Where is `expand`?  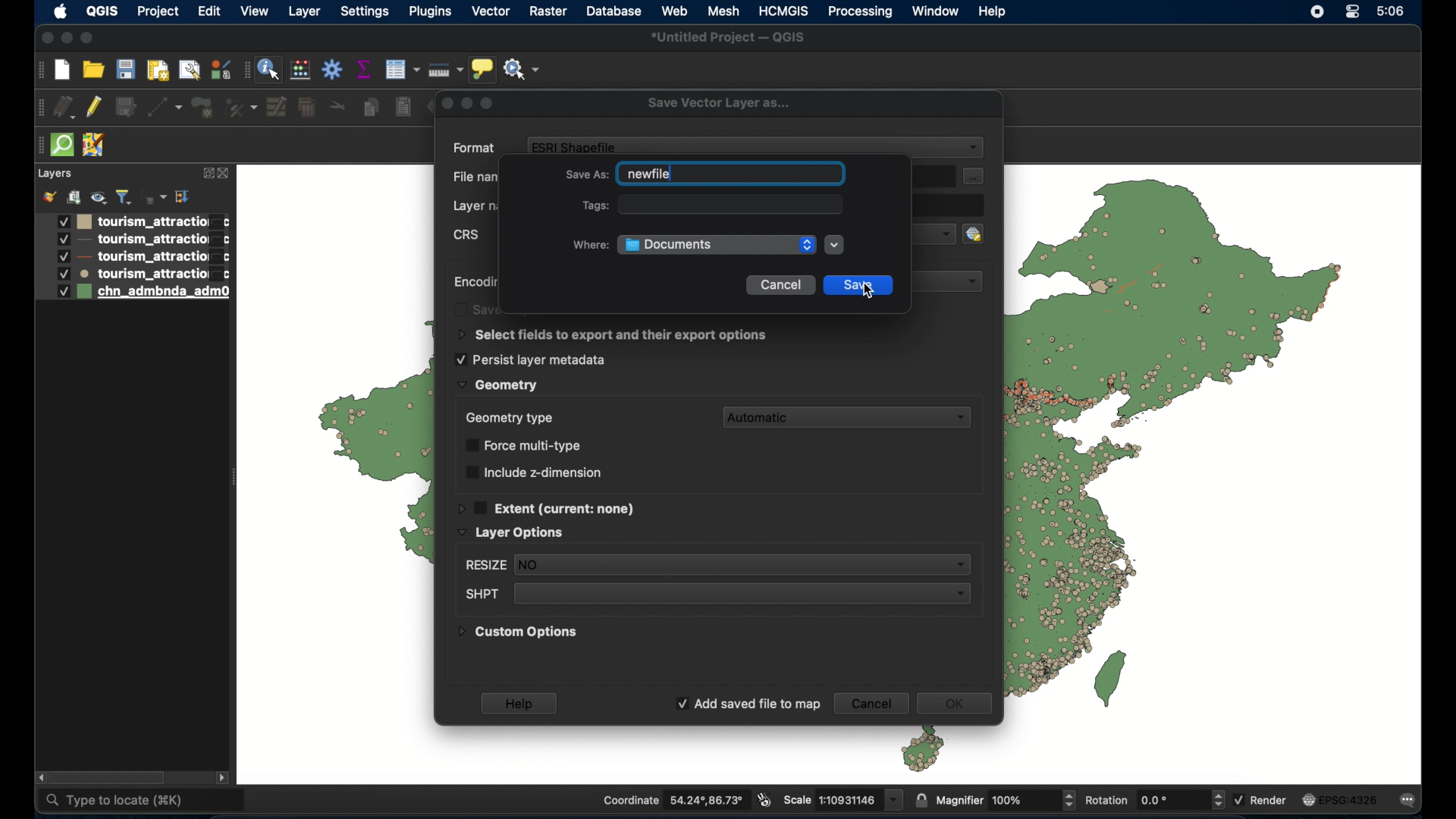 expand is located at coordinates (206, 174).